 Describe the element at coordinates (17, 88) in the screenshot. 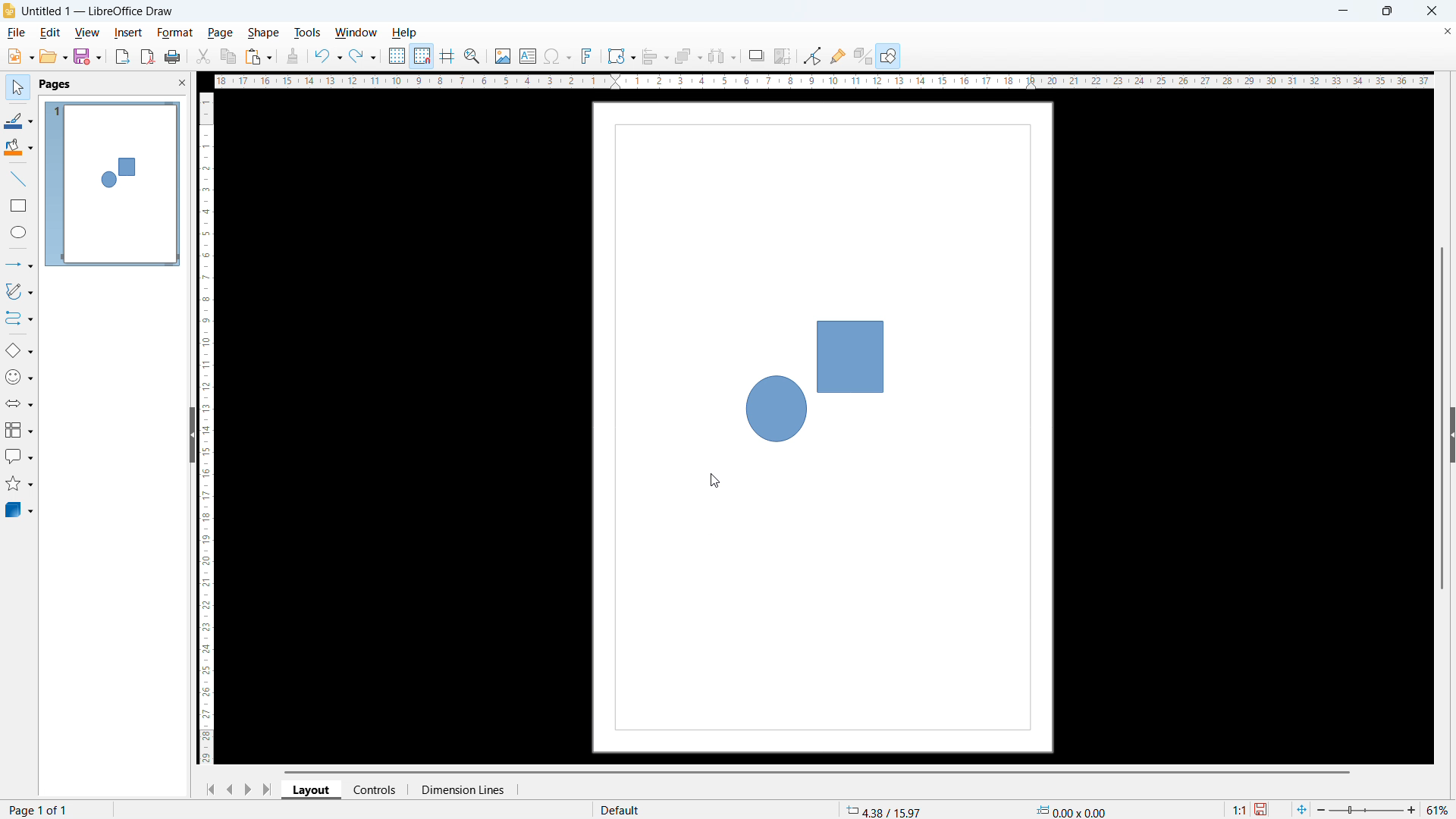

I see `select` at that location.